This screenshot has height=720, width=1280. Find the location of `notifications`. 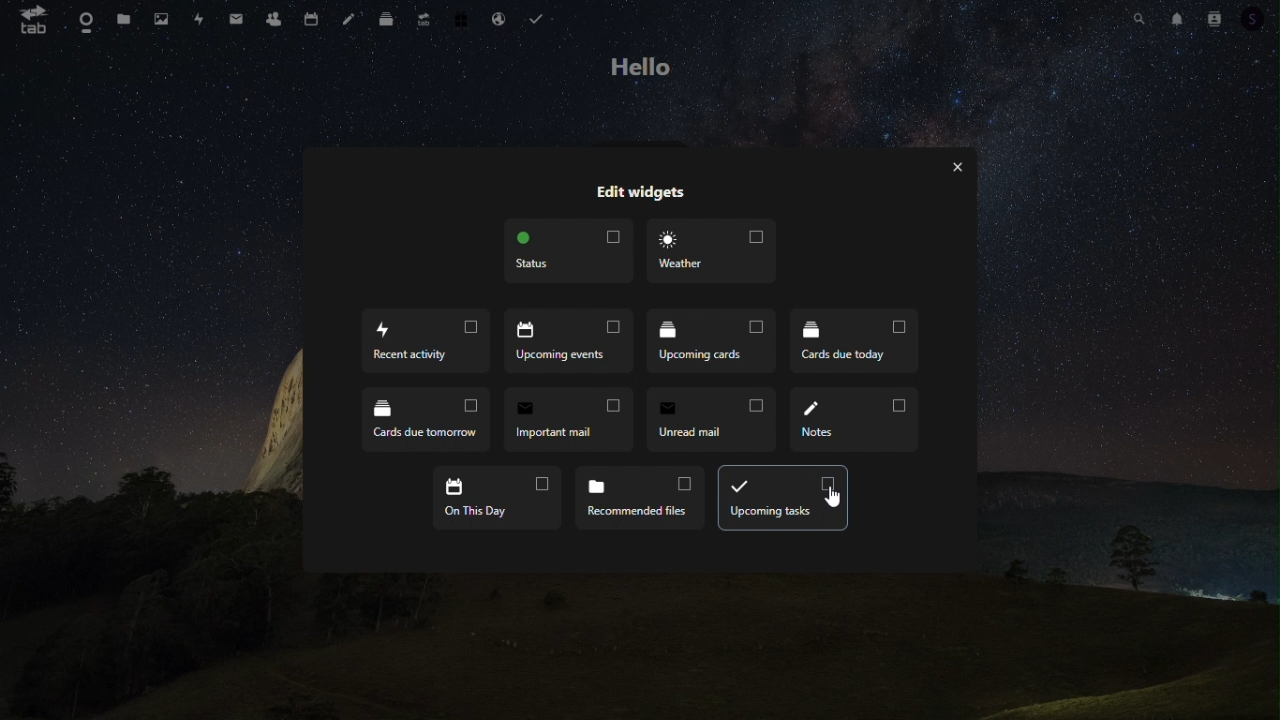

notifications is located at coordinates (1177, 18).